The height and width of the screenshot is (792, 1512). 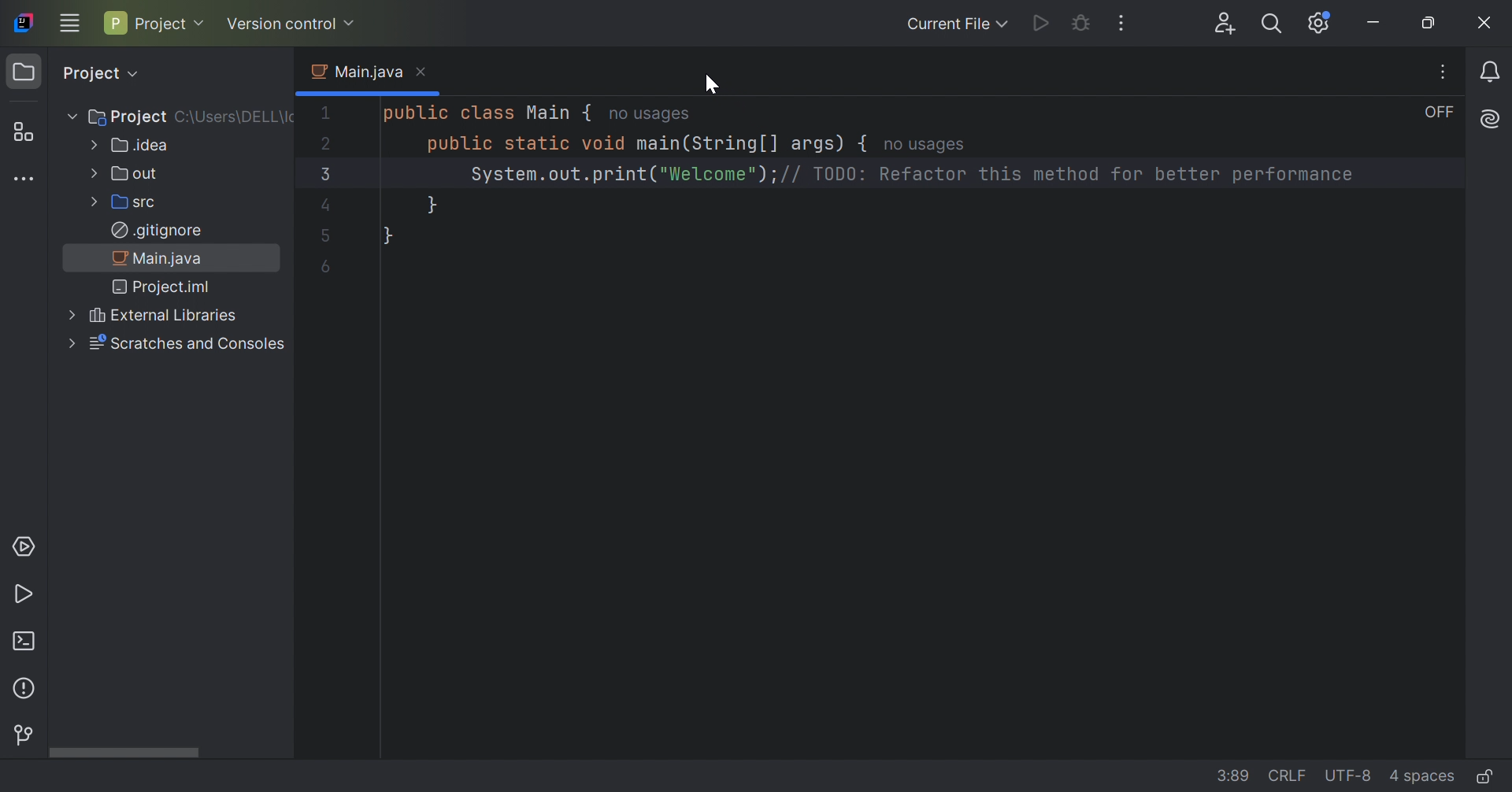 I want to click on System.out.print("Welcome");, so click(x=619, y=176).